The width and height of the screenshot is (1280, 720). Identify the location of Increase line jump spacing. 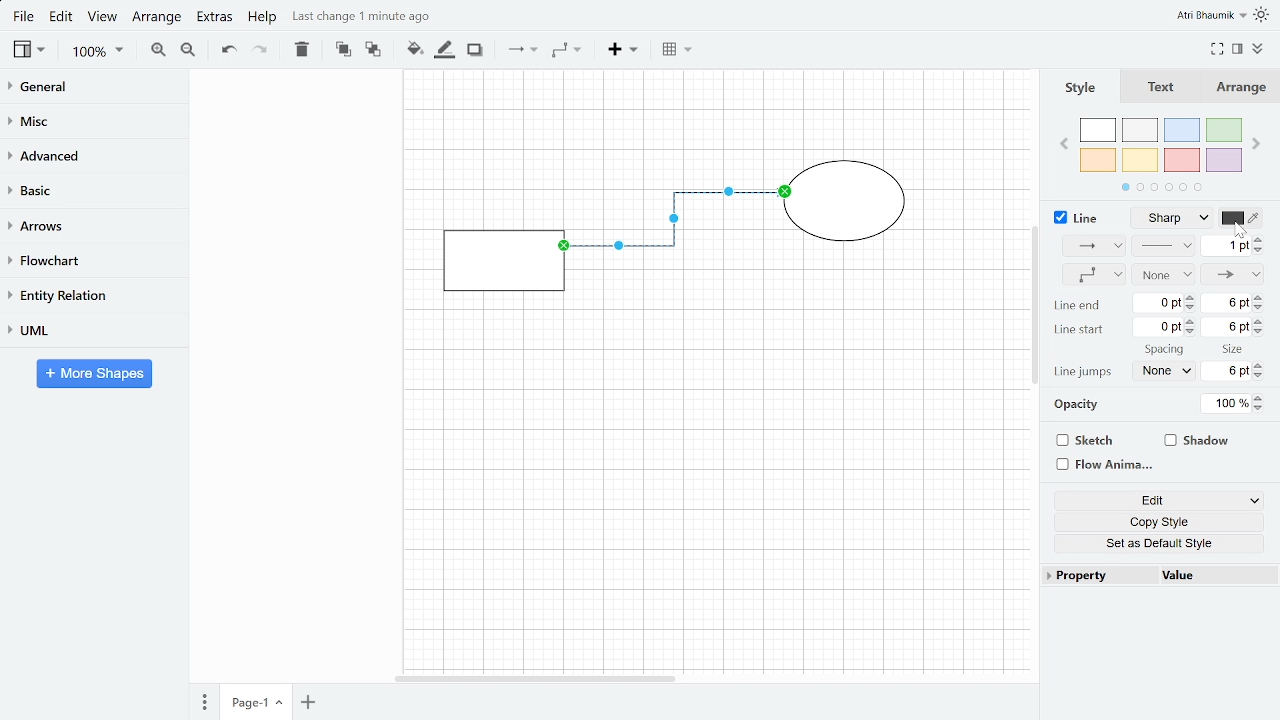
(1260, 365).